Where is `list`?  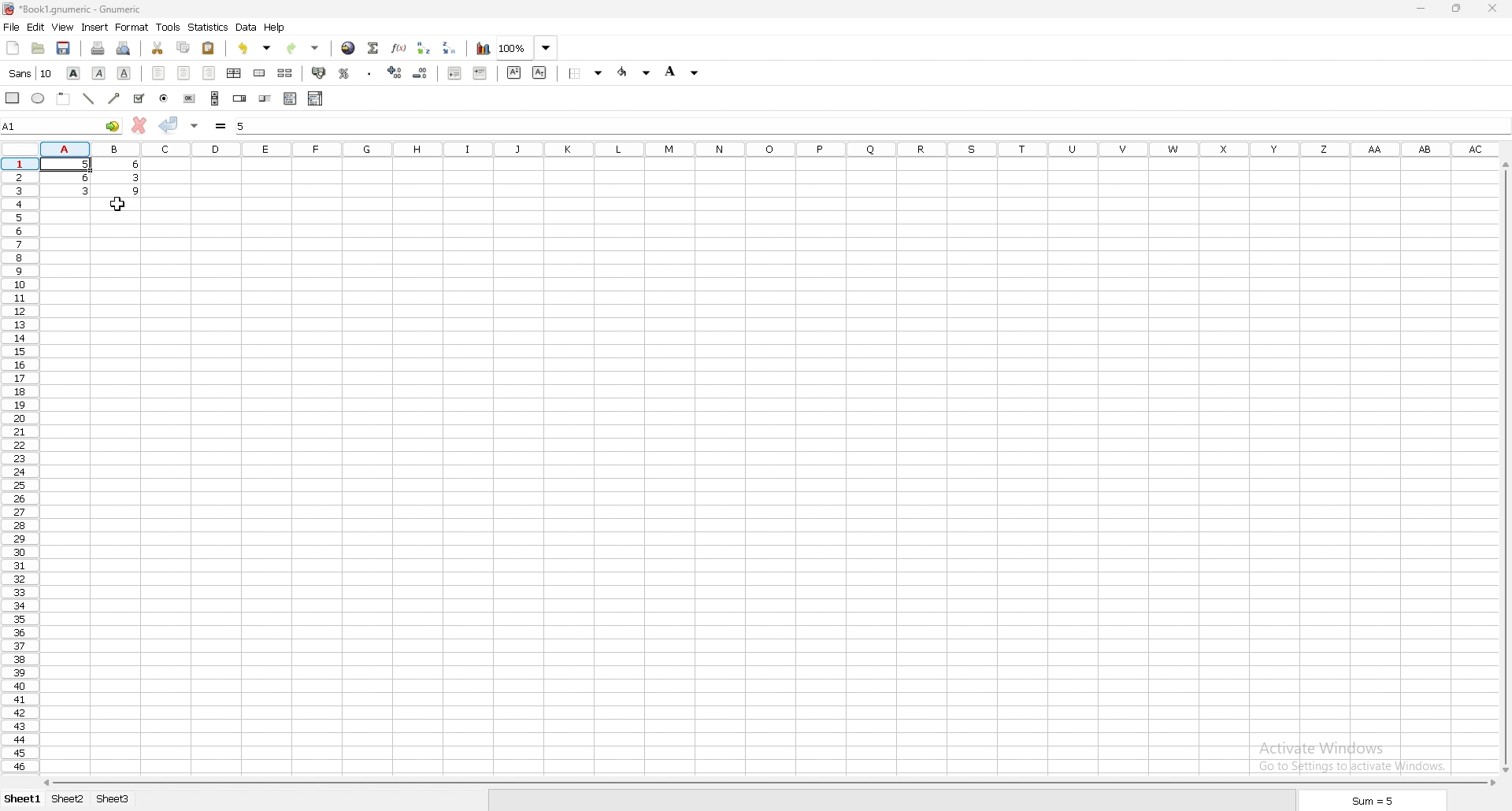 list is located at coordinates (290, 98).